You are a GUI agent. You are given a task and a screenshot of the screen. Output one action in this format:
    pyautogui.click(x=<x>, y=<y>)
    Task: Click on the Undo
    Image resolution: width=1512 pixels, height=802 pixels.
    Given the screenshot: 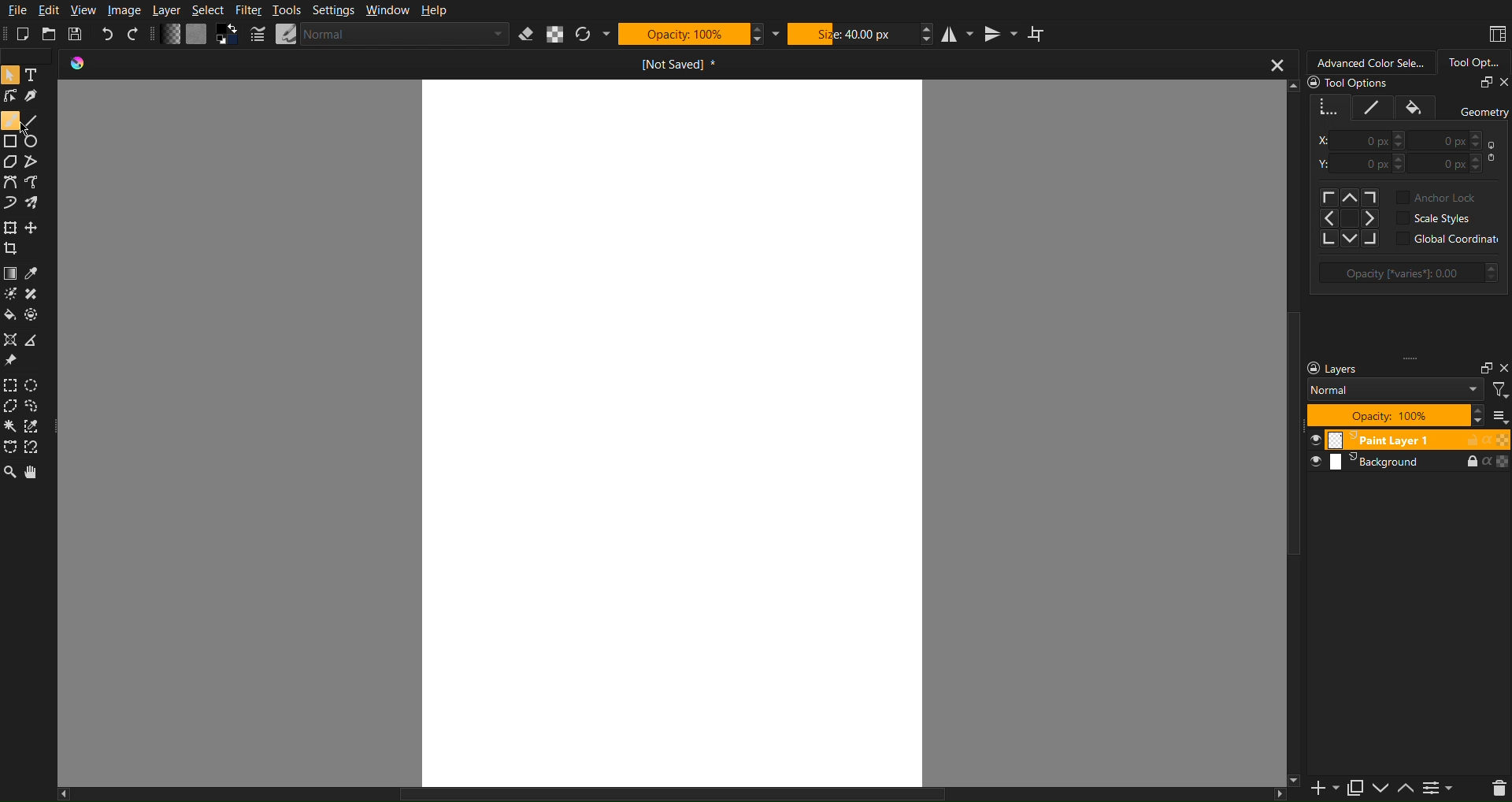 What is the action you would take?
    pyautogui.click(x=108, y=33)
    